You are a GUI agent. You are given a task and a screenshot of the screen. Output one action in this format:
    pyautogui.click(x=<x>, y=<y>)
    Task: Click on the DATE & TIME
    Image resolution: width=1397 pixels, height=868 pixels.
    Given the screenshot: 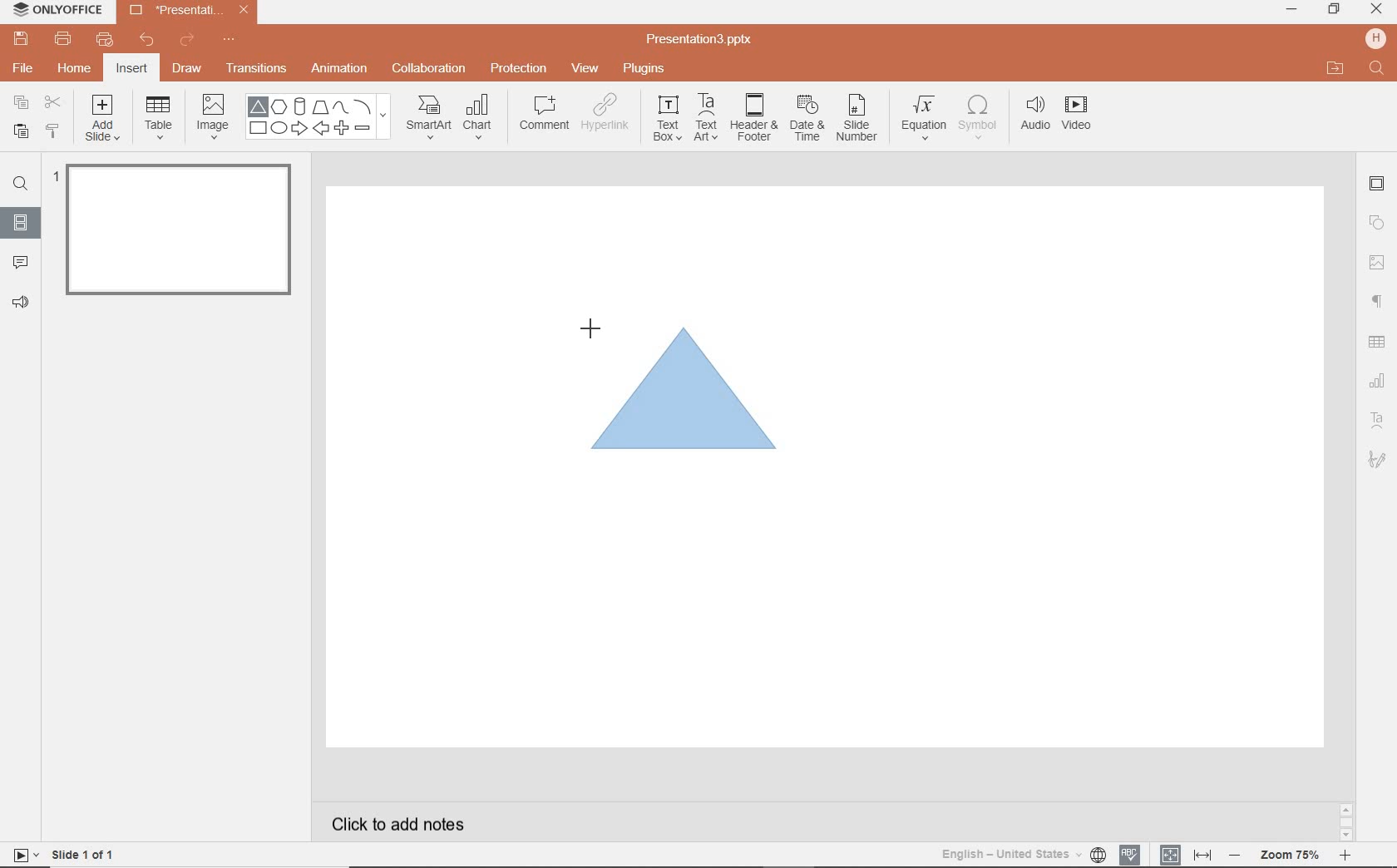 What is the action you would take?
    pyautogui.click(x=807, y=119)
    